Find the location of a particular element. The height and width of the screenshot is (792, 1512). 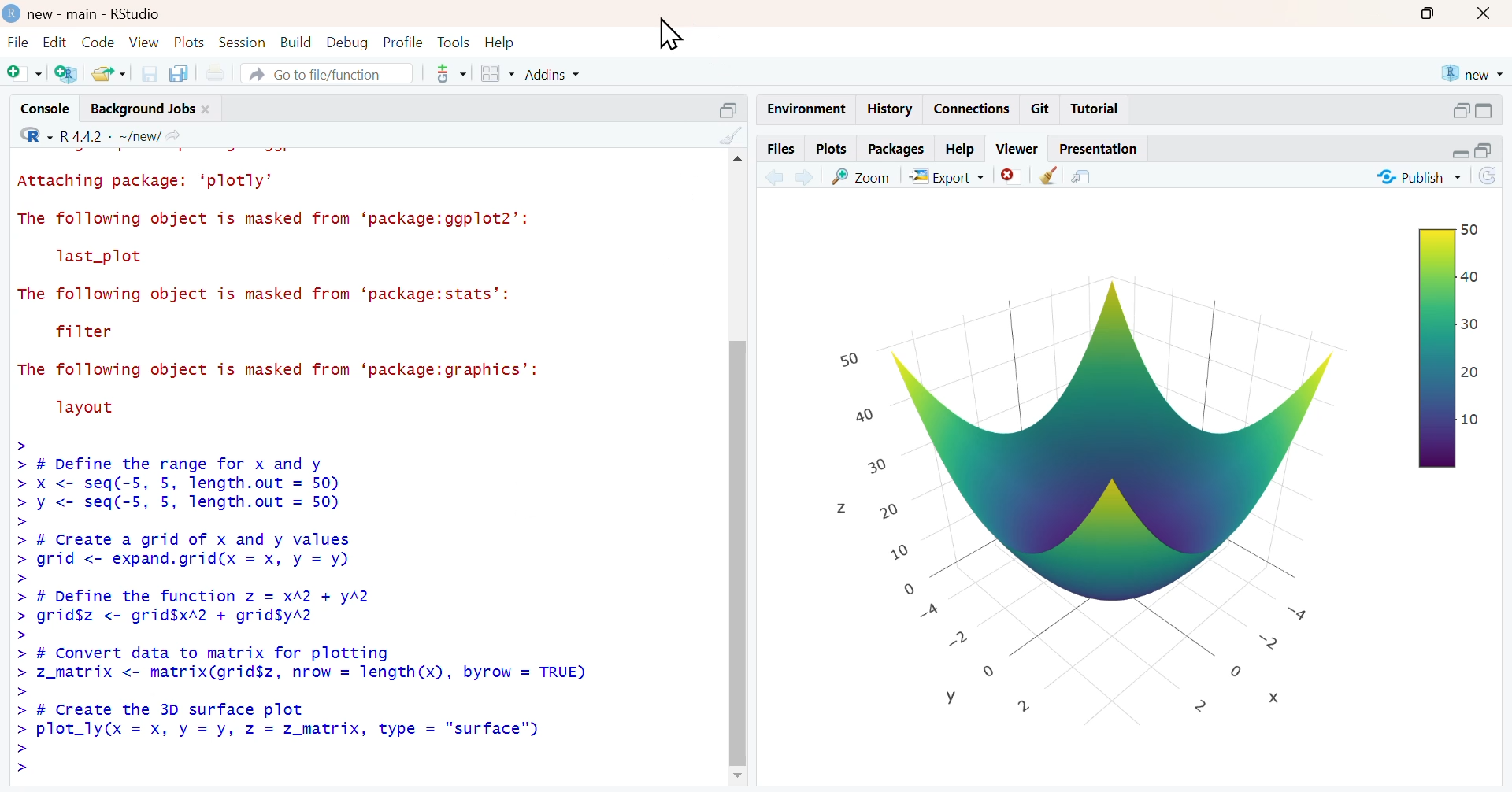

show in new window is located at coordinates (1084, 178).